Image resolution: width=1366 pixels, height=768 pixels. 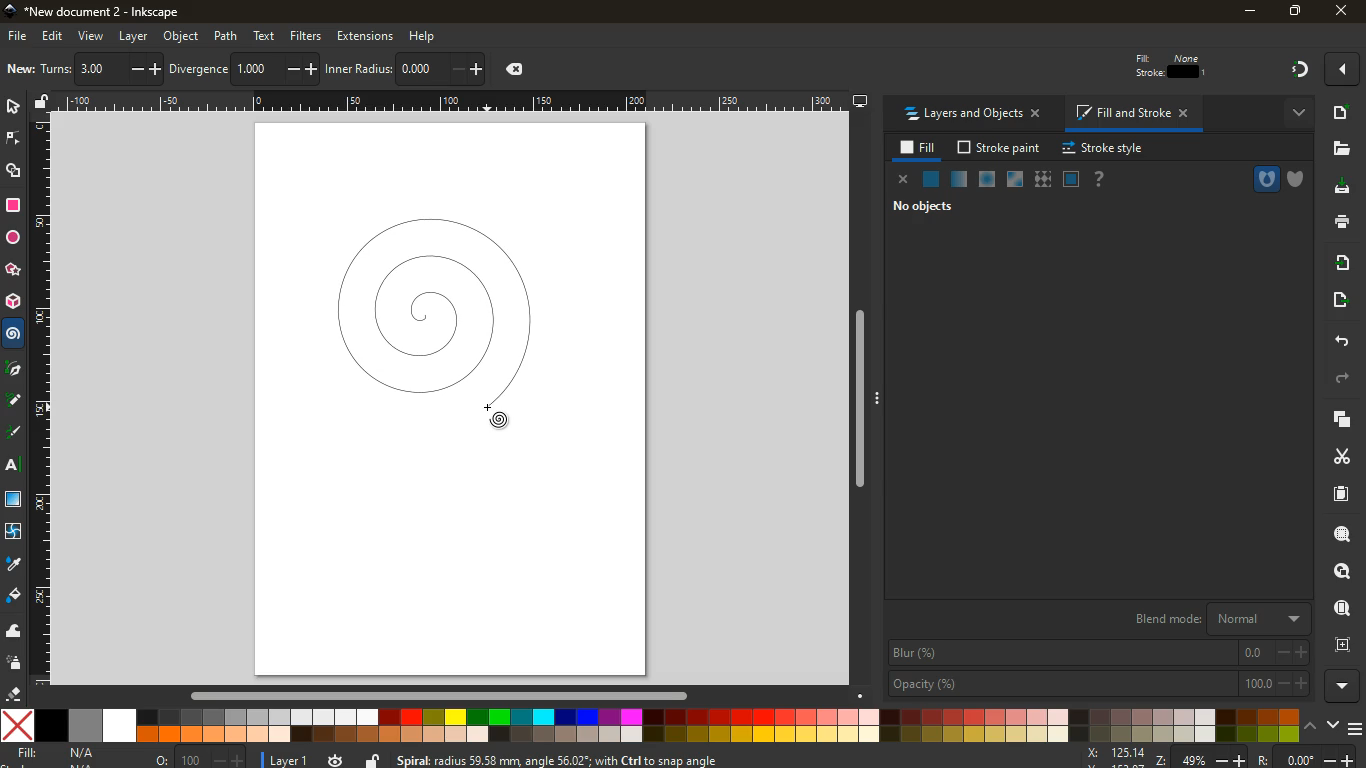 What do you see at coordinates (915, 207) in the screenshot?
I see `no objects` at bounding box center [915, 207].